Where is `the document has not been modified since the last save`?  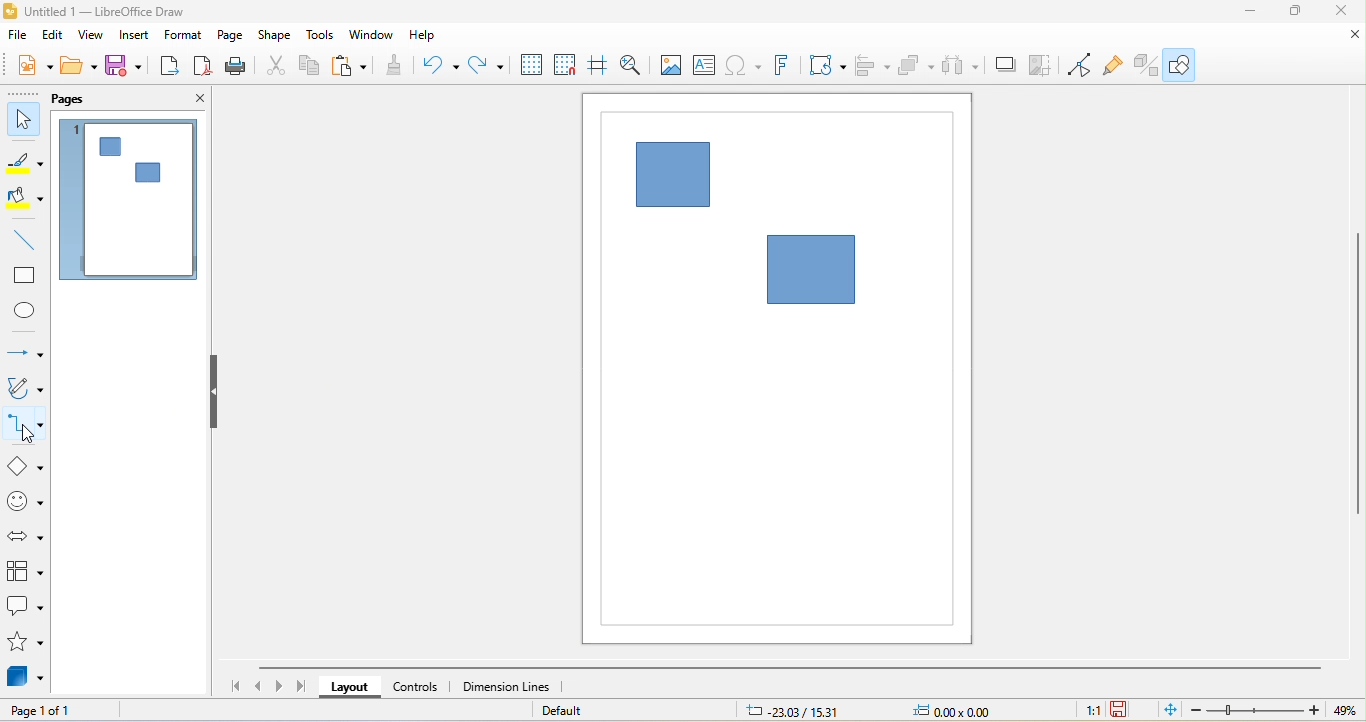
the document has not been modified since the last save is located at coordinates (1128, 710).